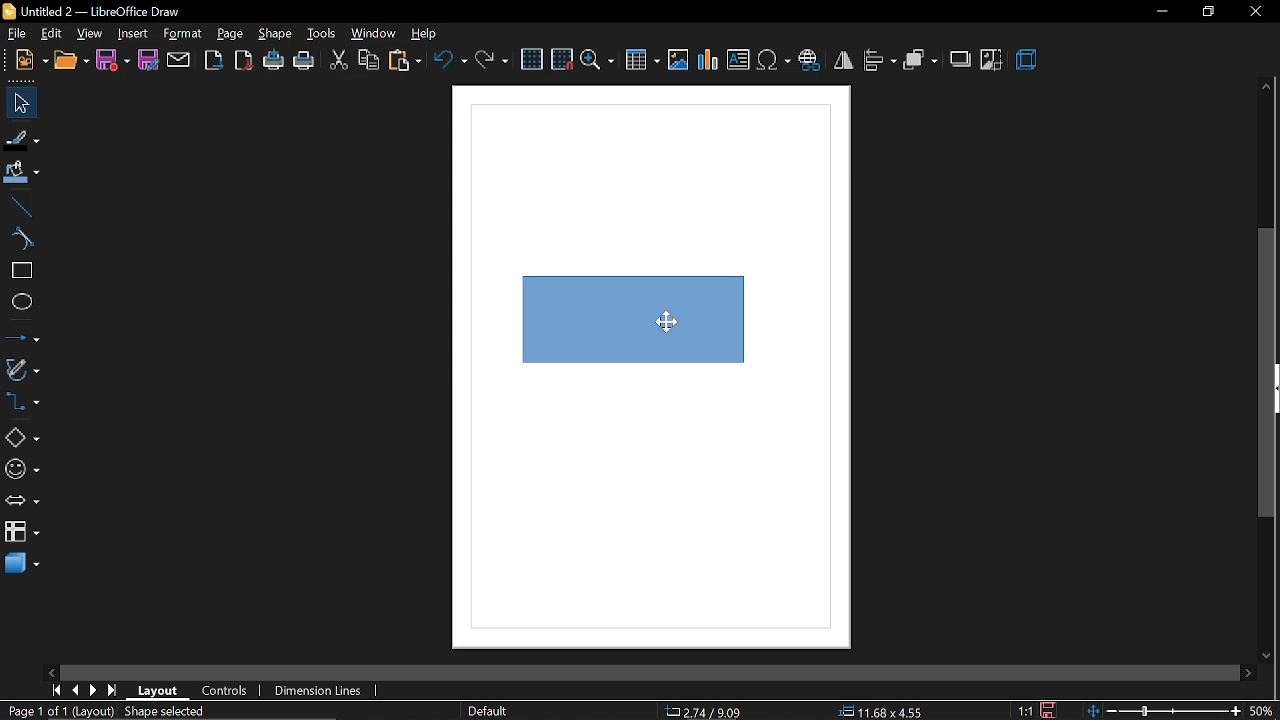  Describe the element at coordinates (18, 208) in the screenshot. I see `line` at that location.